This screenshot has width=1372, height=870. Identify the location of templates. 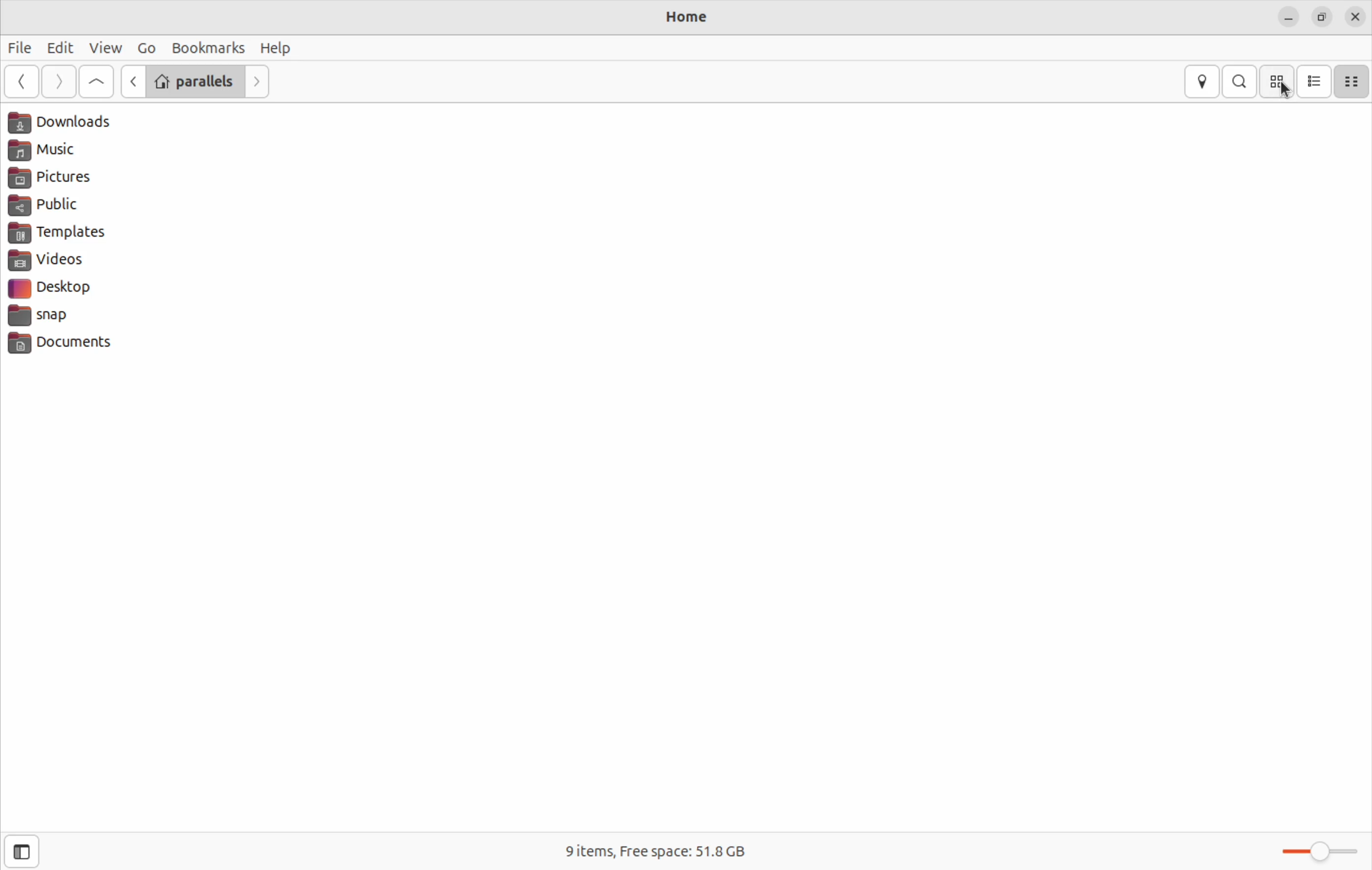
(64, 235).